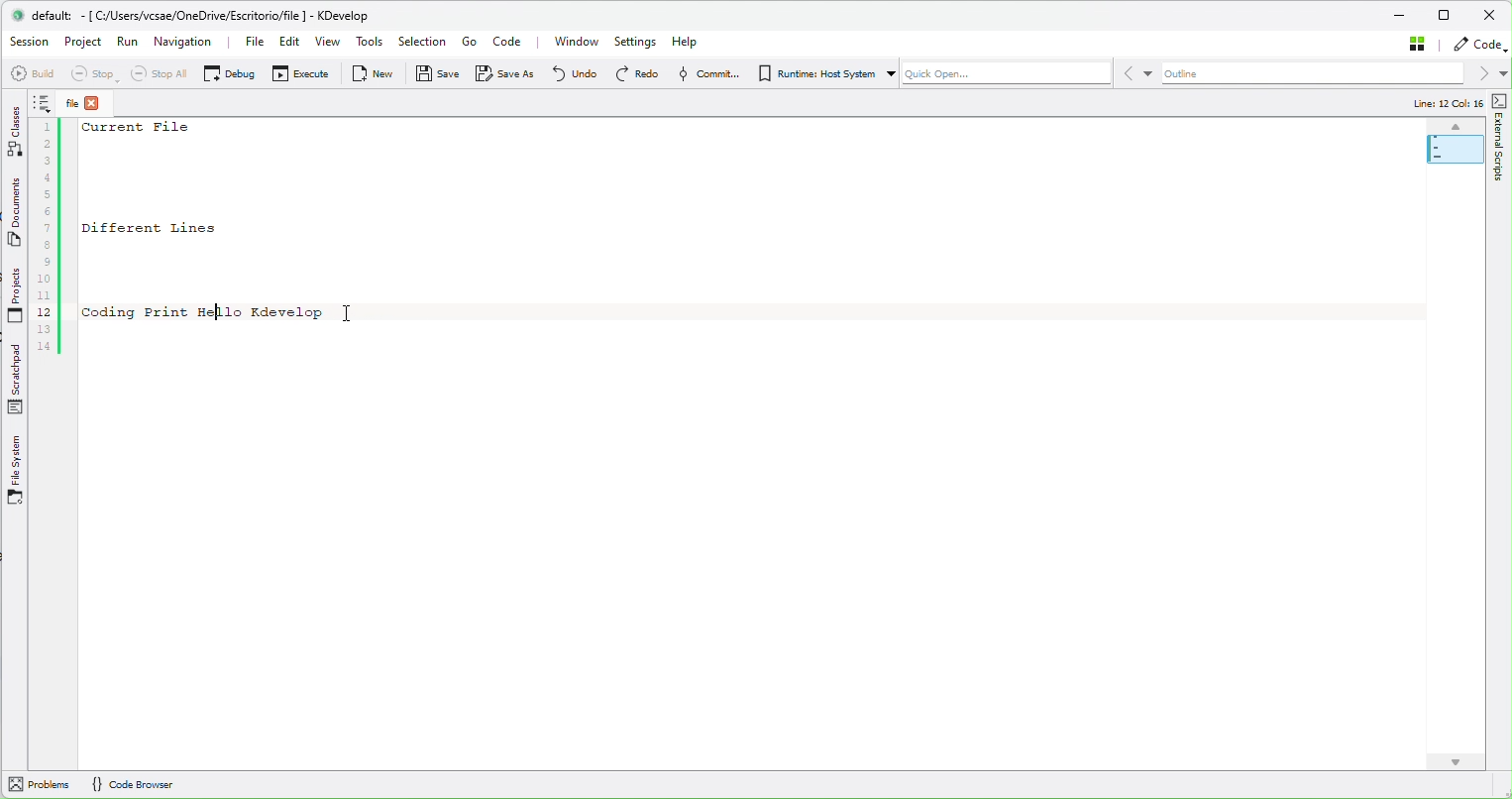 The width and height of the screenshot is (1512, 799). Describe the element at coordinates (513, 42) in the screenshot. I see `Code` at that location.